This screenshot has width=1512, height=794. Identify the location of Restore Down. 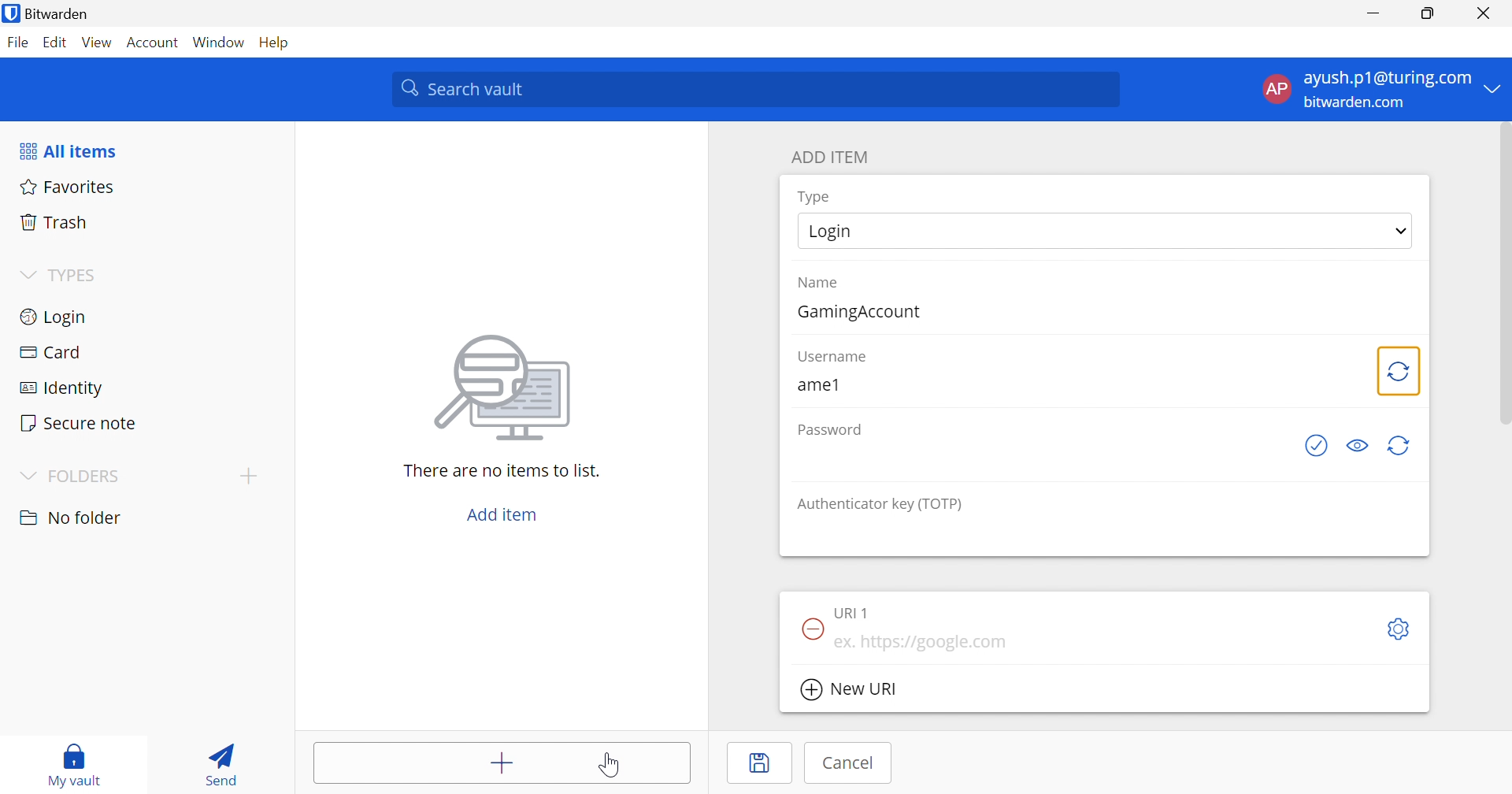
(1429, 14).